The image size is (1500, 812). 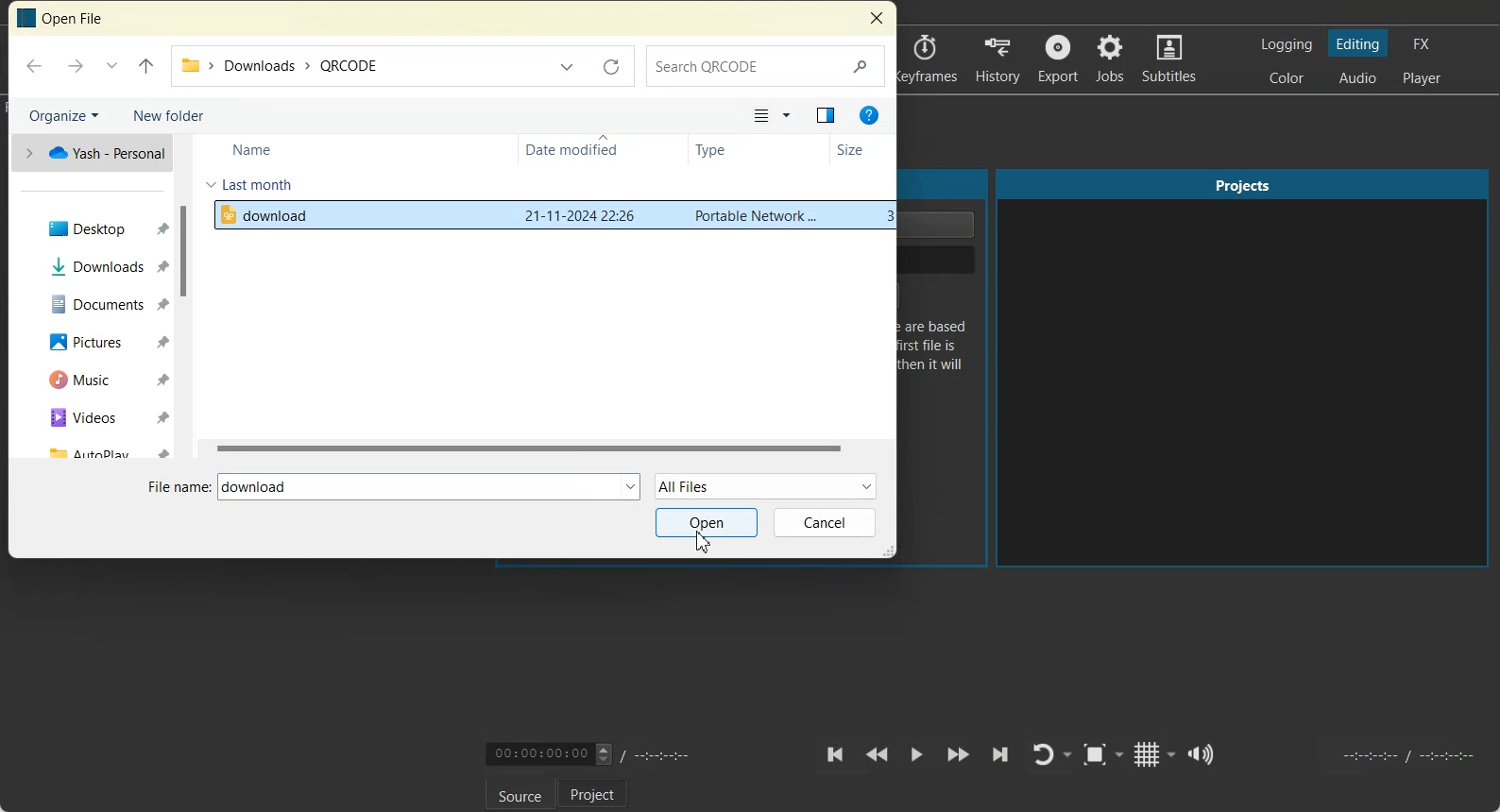 I want to click on Documents, so click(x=101, y=302).